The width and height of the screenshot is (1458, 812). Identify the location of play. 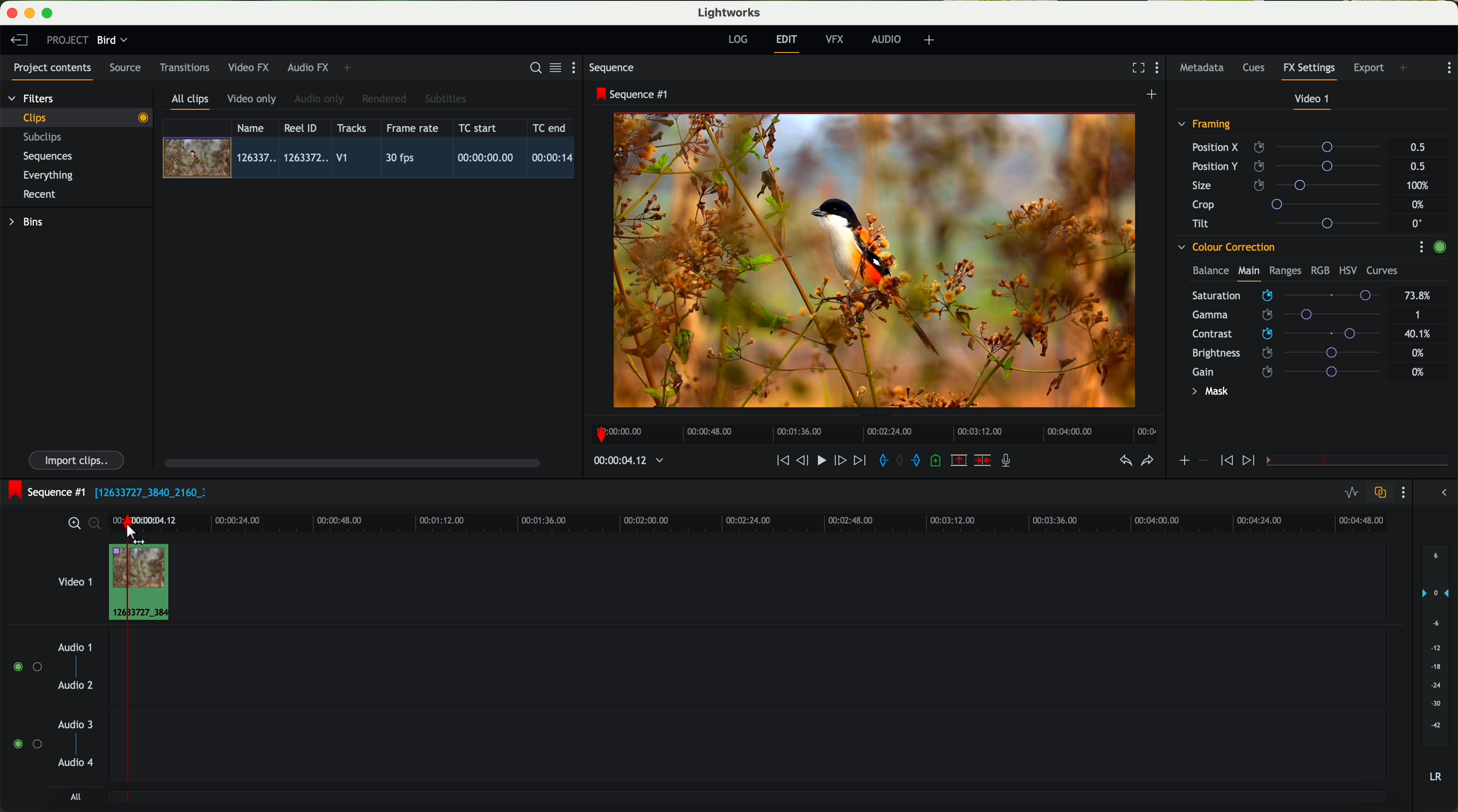
(821, 459).